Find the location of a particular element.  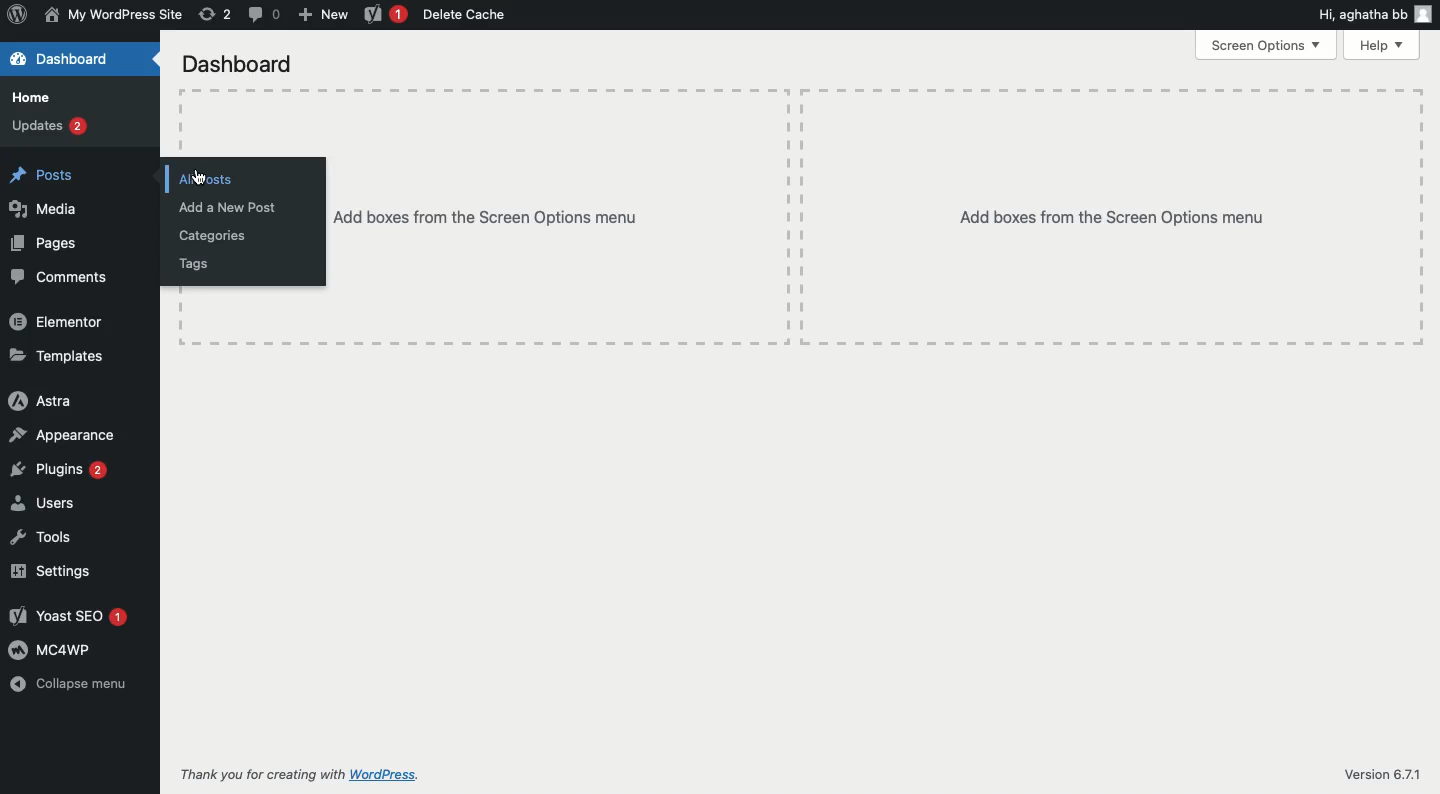

Revision is located at coordinates (215, 13).